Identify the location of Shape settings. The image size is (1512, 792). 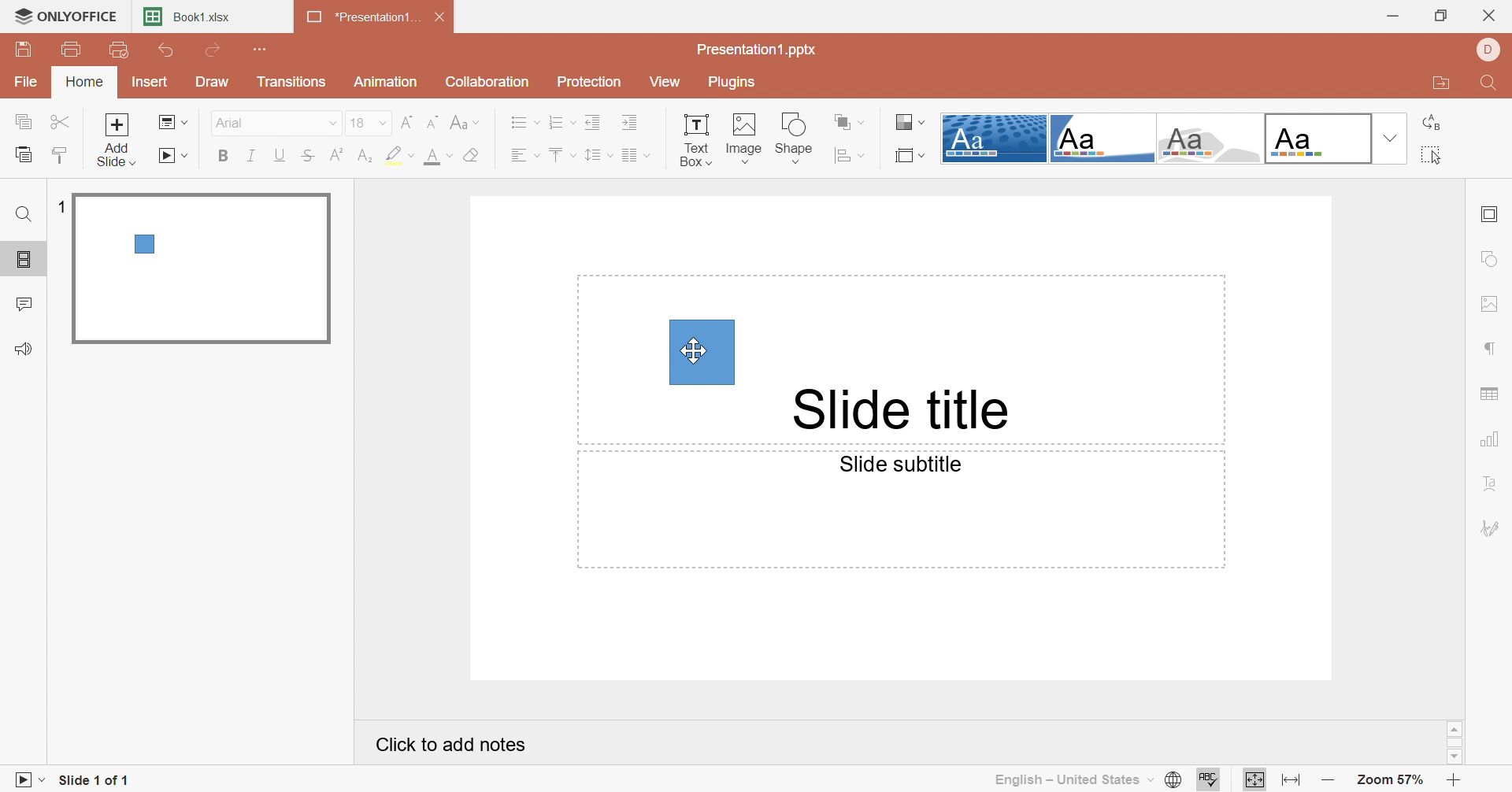
(1493, 264).